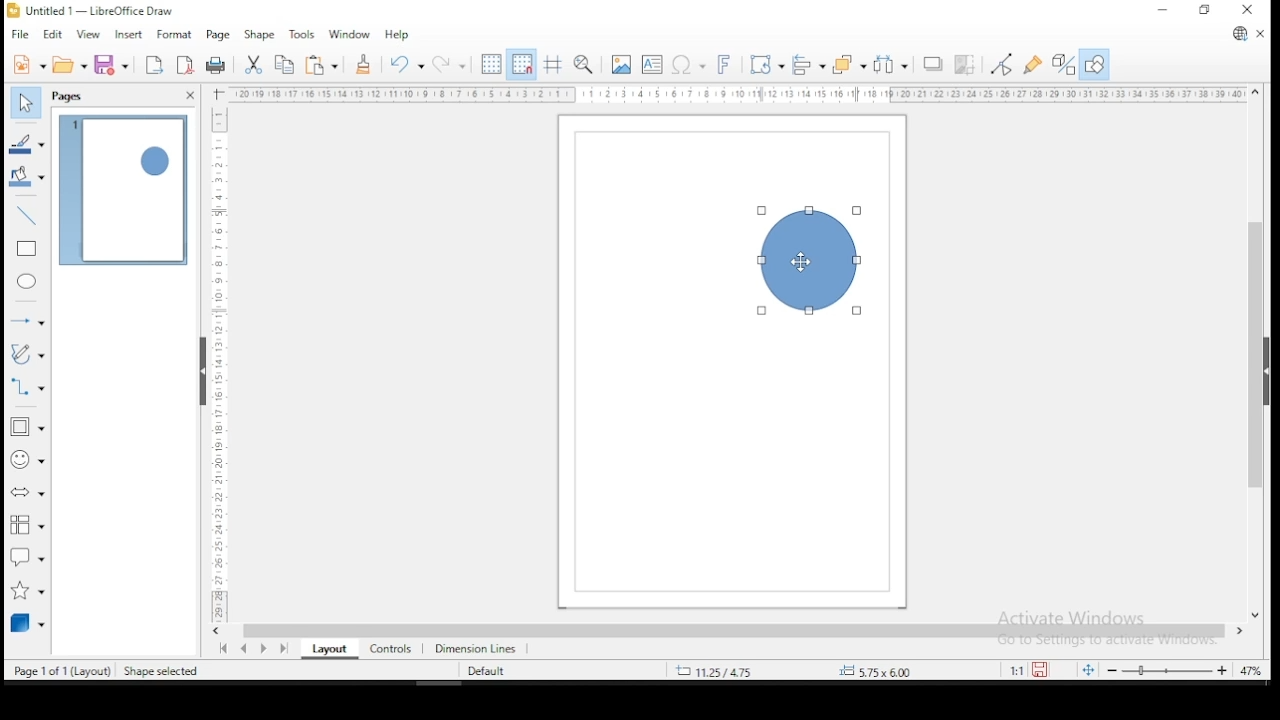 Image resolution: width=1280 pixels, height=720 pixels. Describe the element at coordinates (27, 213) in the screenshot. I see `insert line` at that location.